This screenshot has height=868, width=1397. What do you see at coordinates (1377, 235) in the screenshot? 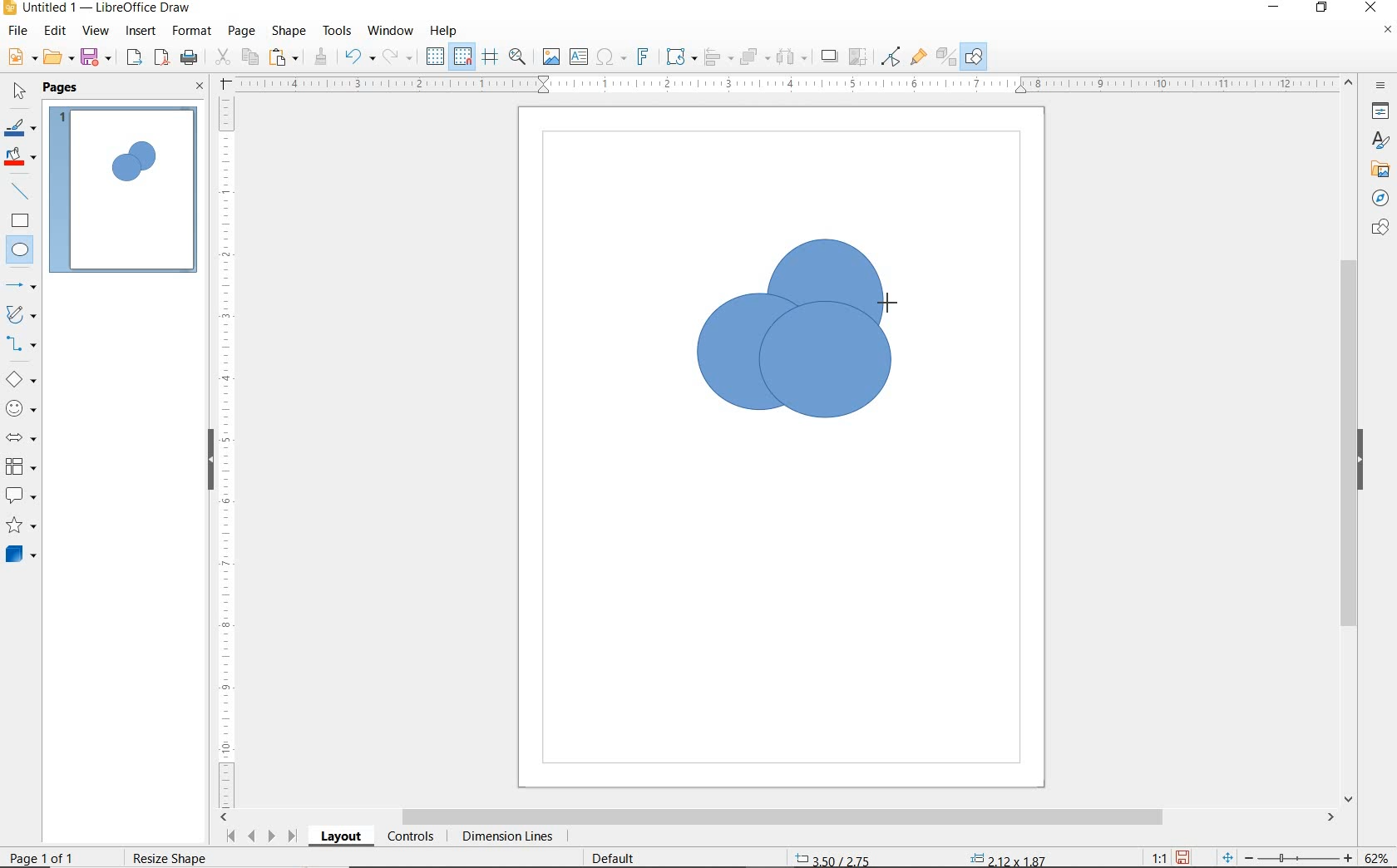
I see `CHATS` at bounding box center [1377, 235].